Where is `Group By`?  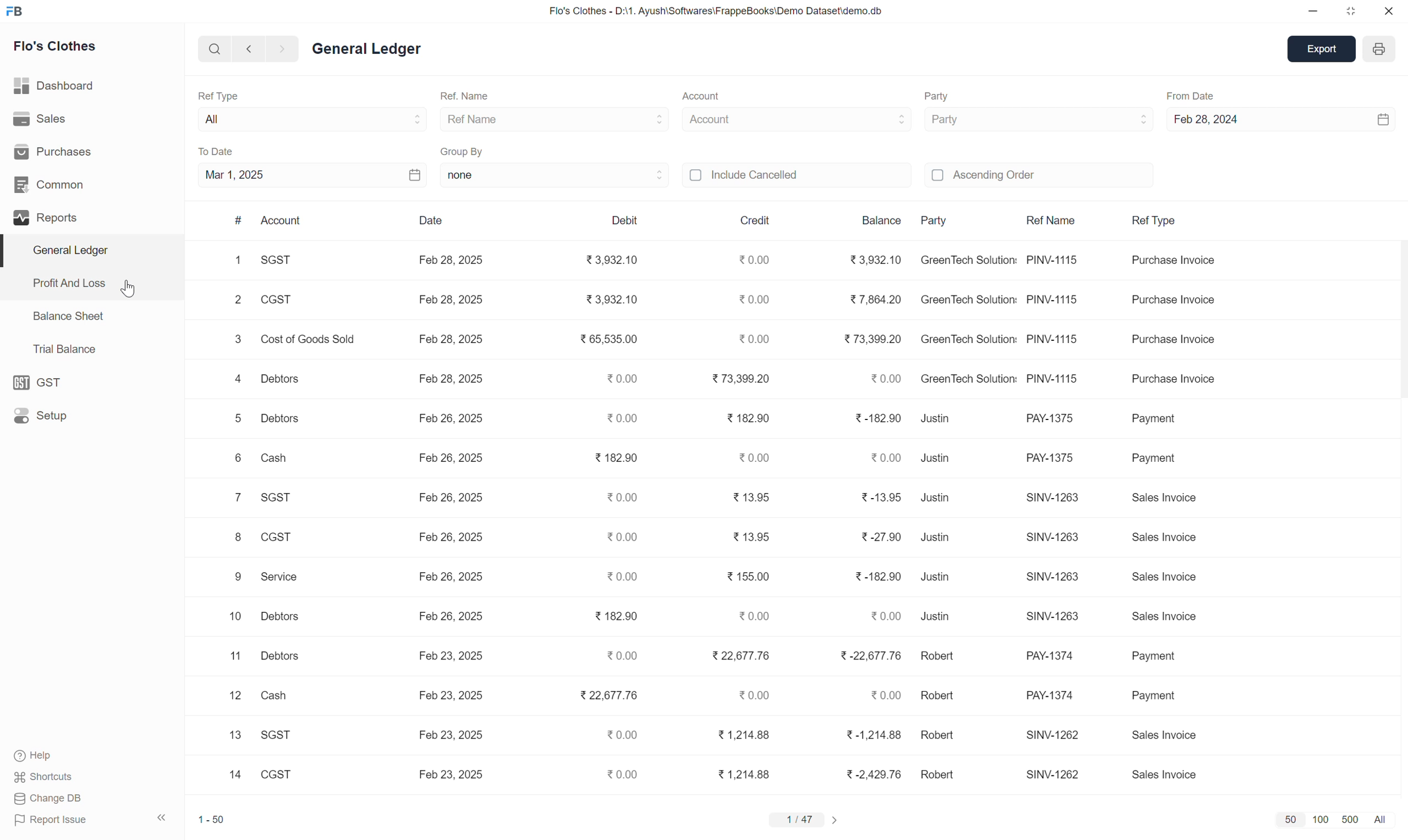
Group By is located at coordinates (474, 149).